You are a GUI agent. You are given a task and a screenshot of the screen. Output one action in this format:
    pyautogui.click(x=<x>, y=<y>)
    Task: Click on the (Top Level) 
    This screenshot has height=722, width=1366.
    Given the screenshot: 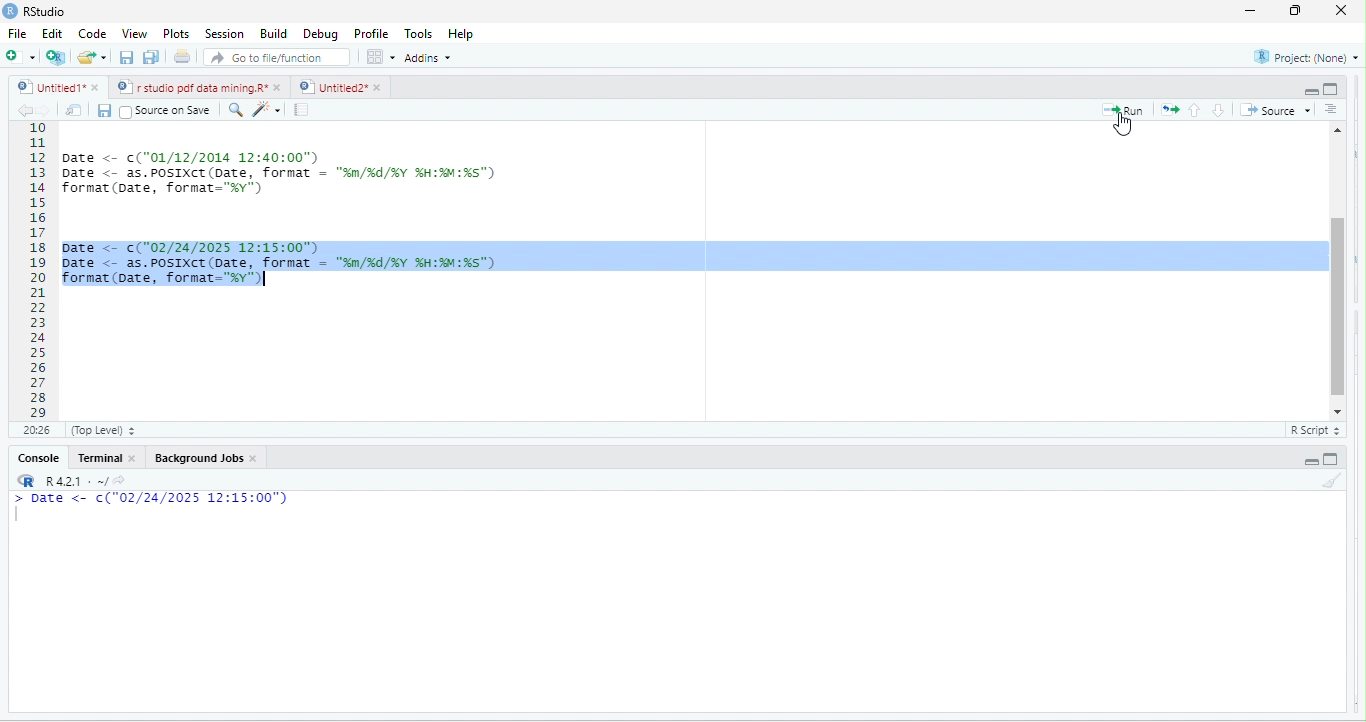 What is the action you would take?
    pyautogui.click(x=100, y=433)
    